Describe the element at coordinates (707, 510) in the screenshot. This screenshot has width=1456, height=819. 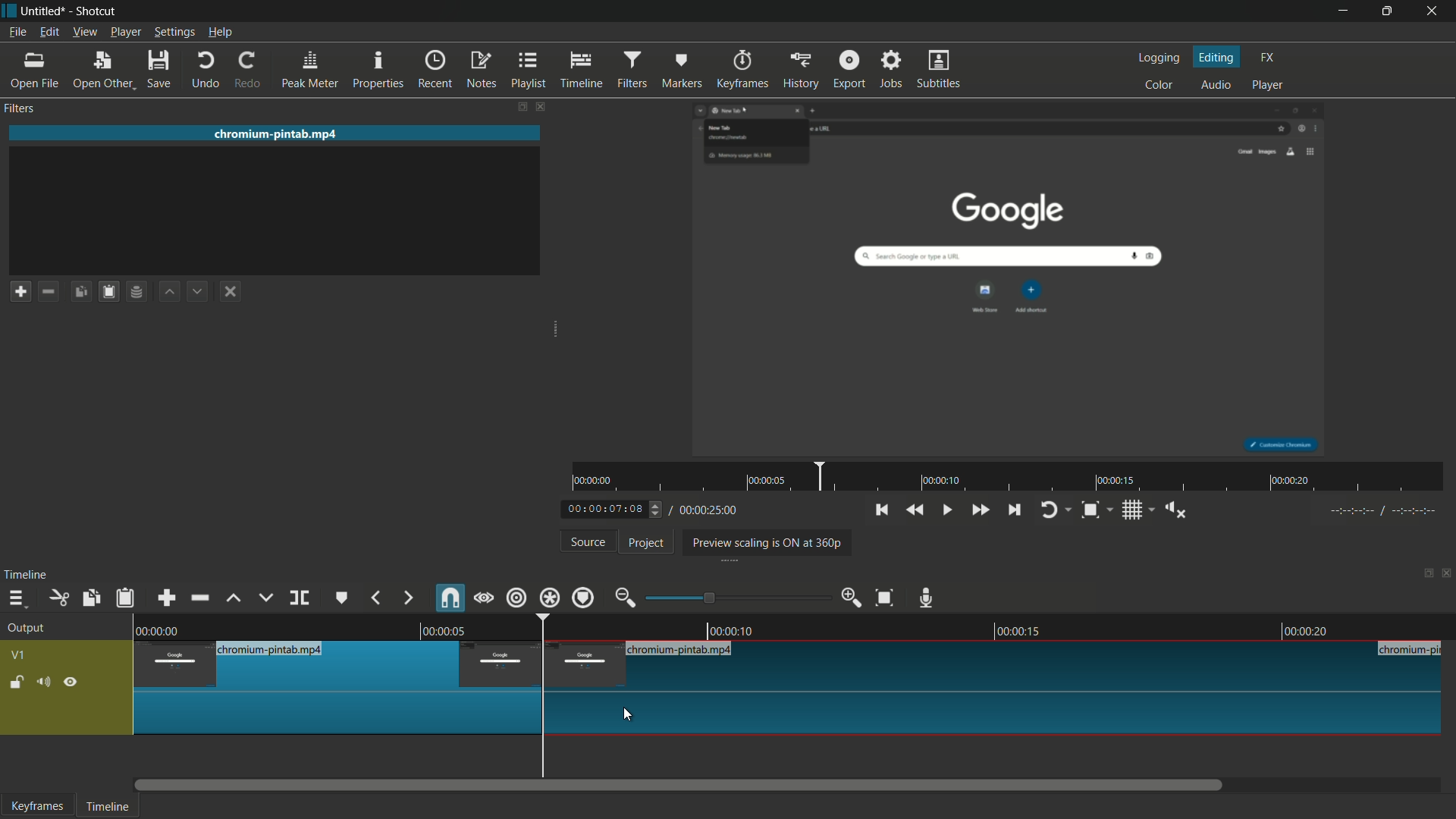
I see `total time` at that location.